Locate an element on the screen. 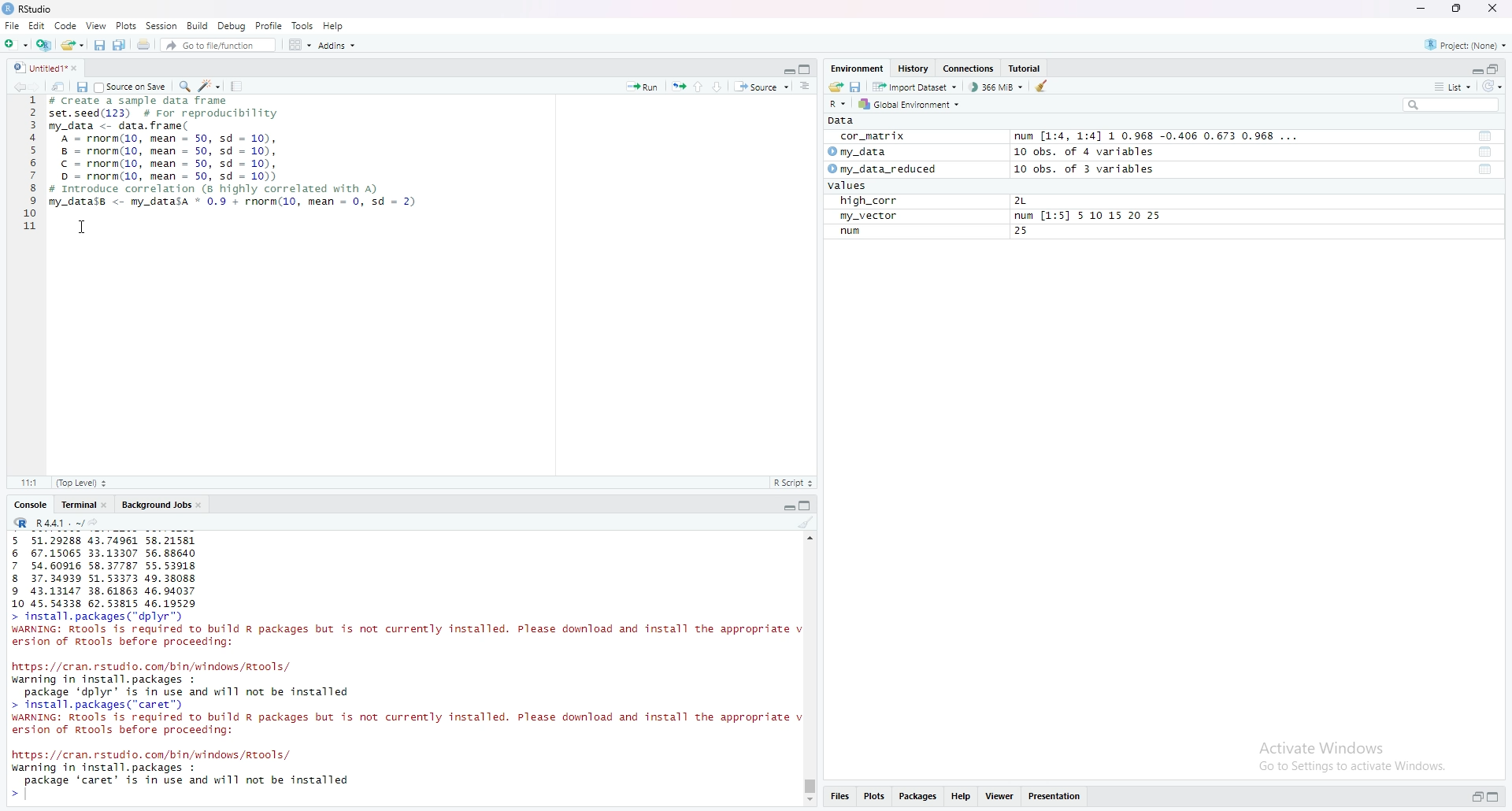 This screenshot has height=811, width=1512. open in separate window is located at coordinates (1495, 69).